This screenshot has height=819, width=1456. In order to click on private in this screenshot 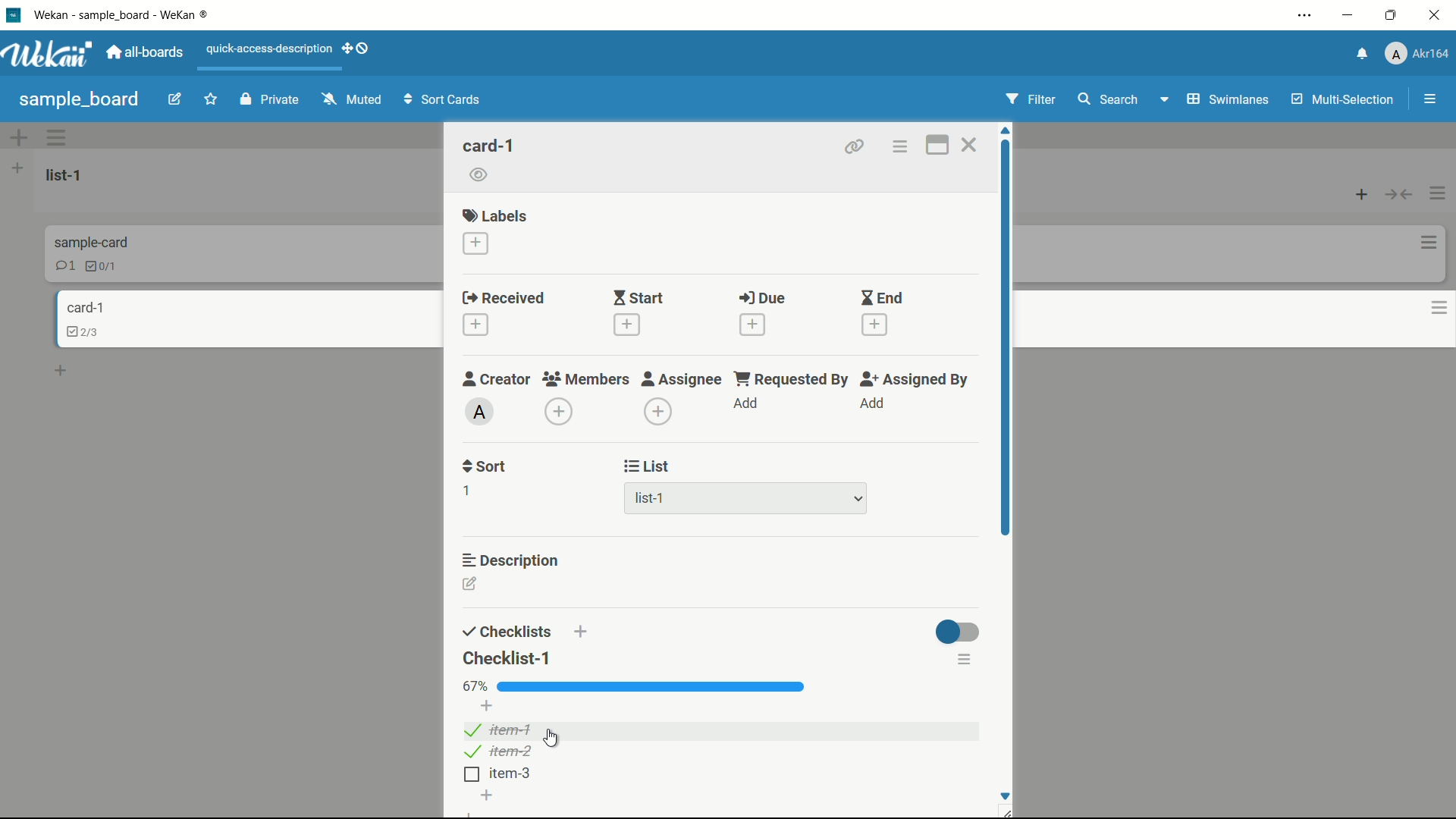, I will do `click(268, 99)`.